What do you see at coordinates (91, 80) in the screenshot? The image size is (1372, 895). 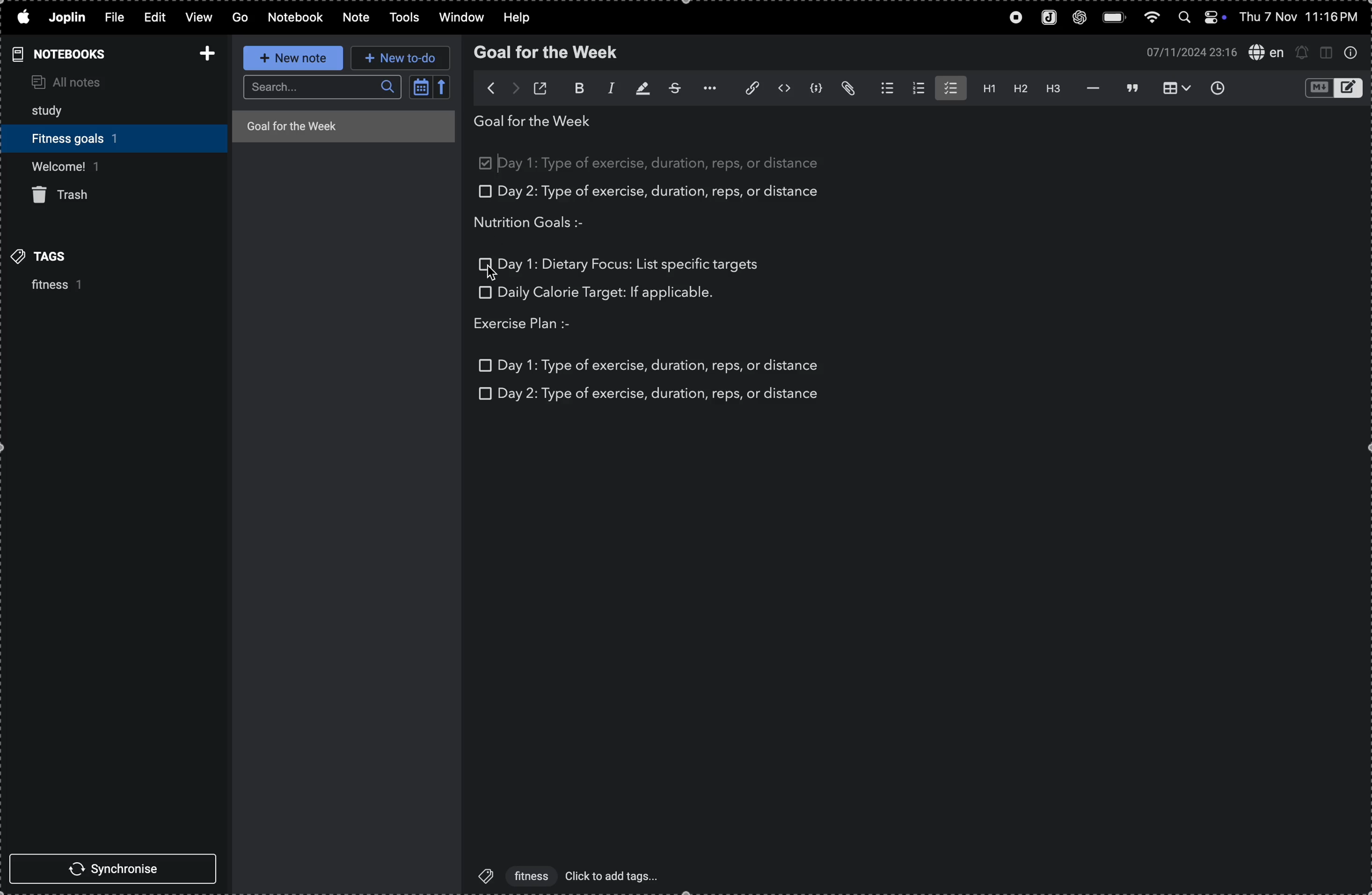 I see `all notes` at bounding box center [91, 80].